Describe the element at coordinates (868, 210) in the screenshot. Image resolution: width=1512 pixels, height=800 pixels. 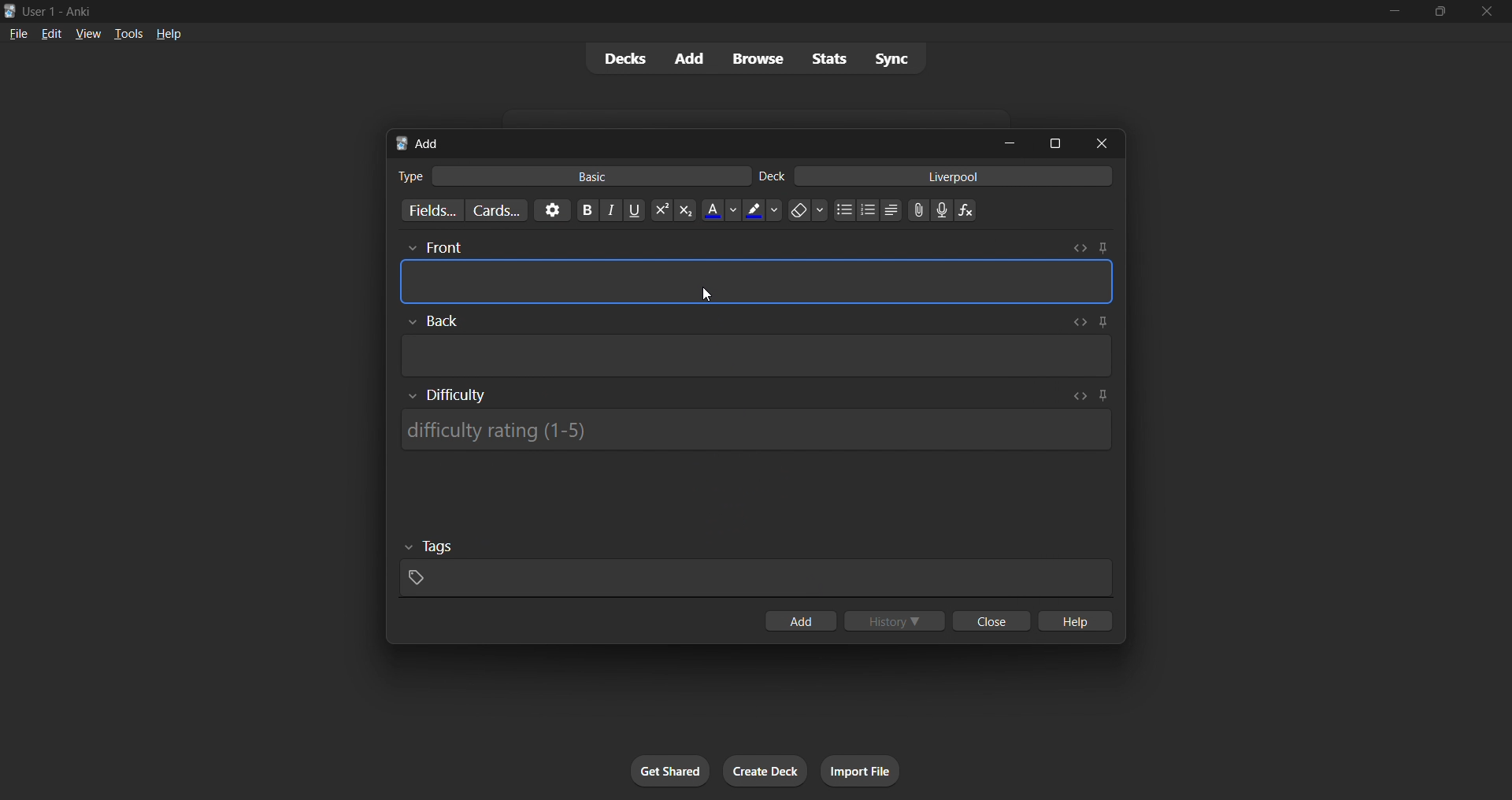
I see `Ordered list` at that location.